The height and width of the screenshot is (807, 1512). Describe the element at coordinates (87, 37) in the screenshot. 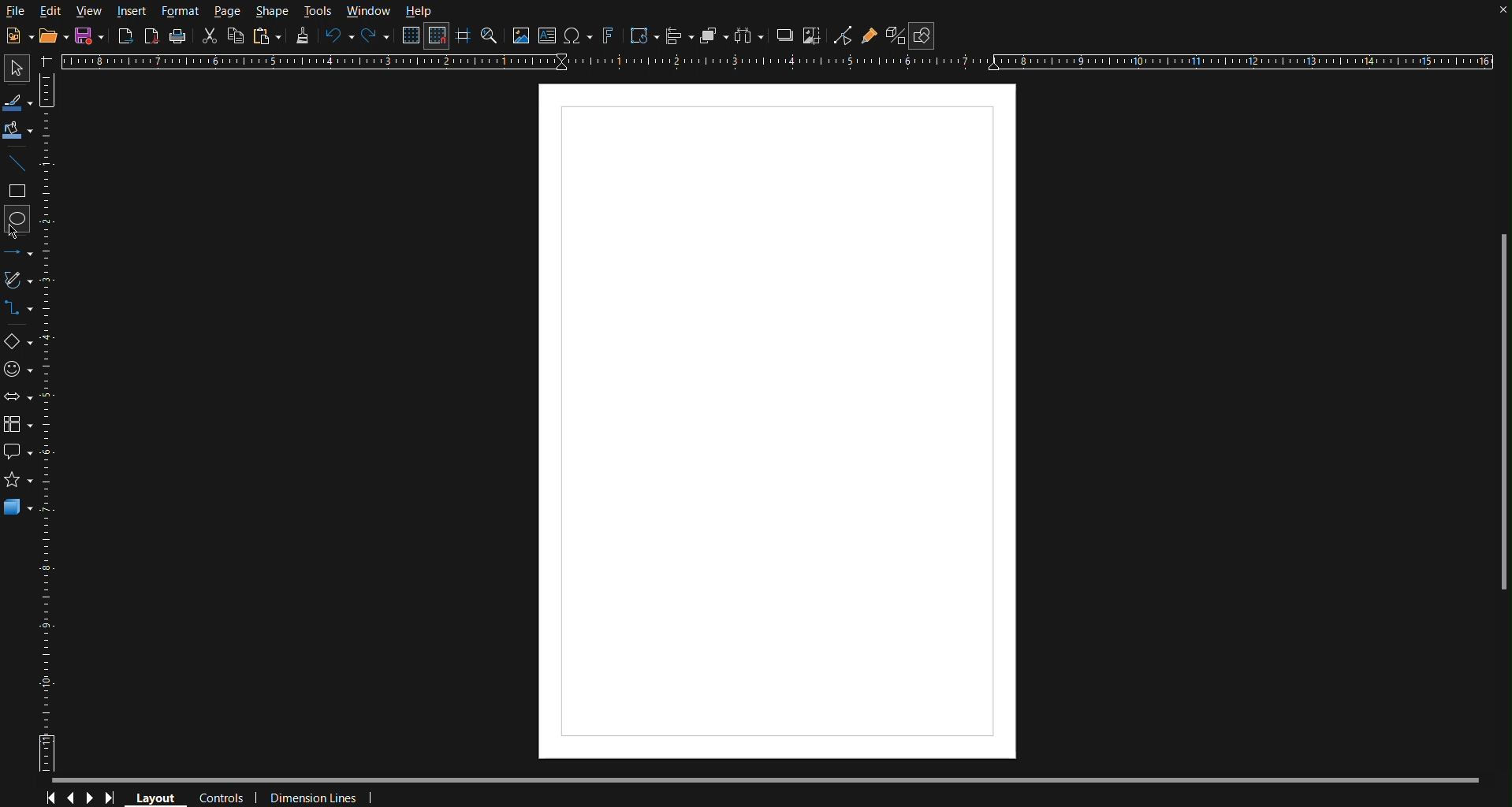

I see `New` at that location.